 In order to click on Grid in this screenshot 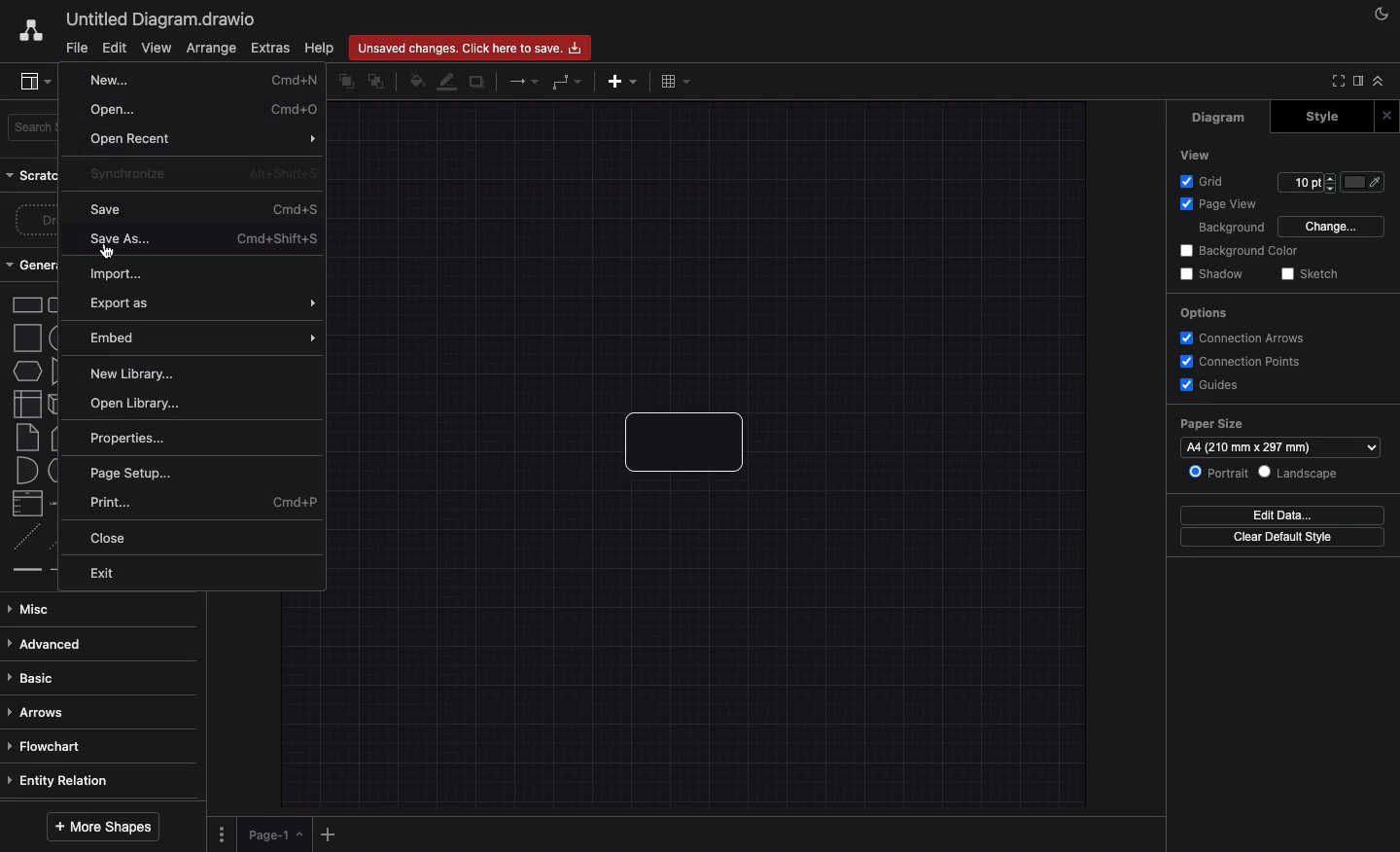, I will do `click(1205, 182)`.